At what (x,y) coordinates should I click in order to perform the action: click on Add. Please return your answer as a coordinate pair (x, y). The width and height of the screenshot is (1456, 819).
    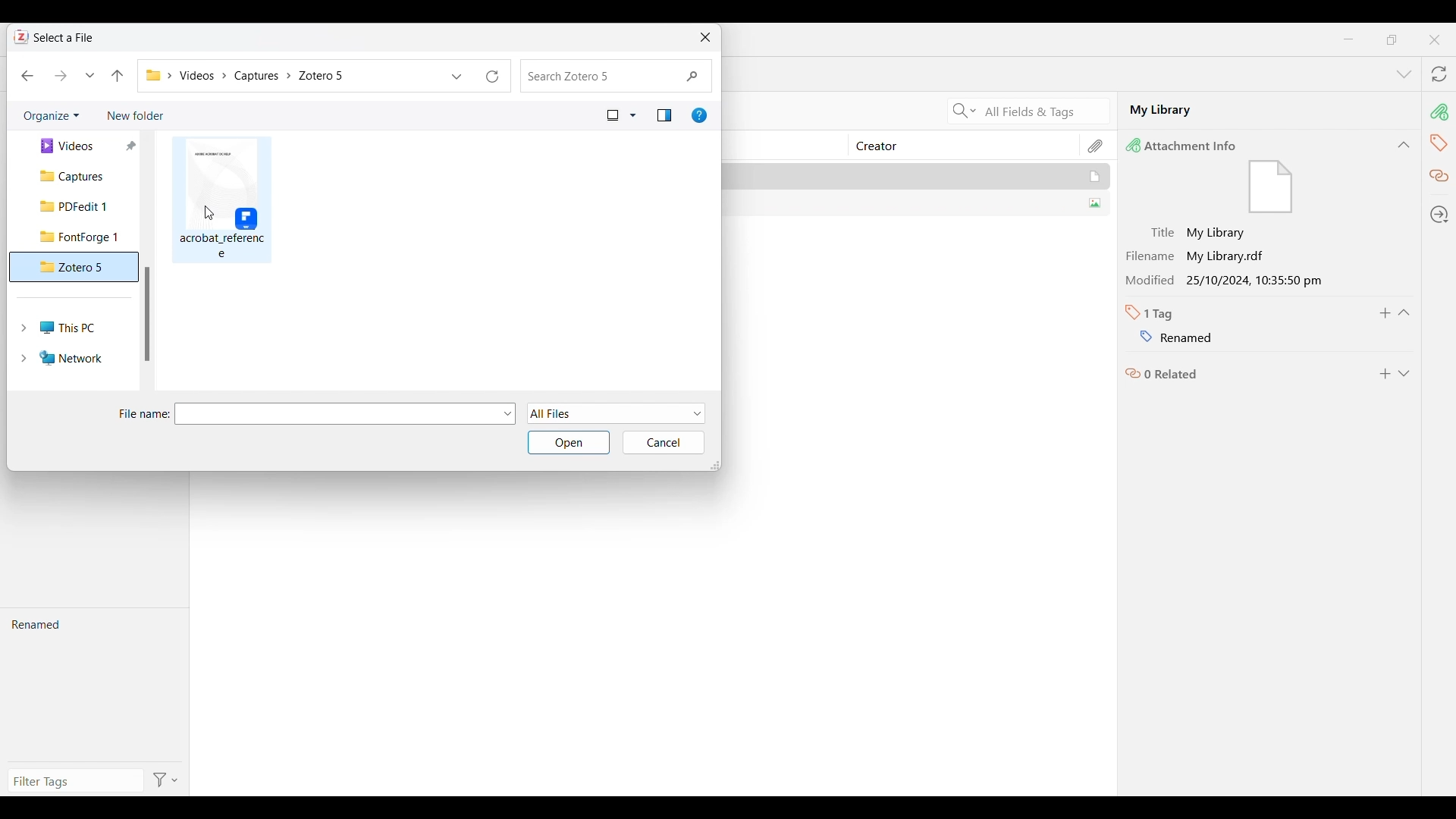
    Looking at the image, I should click on (1385, 313).